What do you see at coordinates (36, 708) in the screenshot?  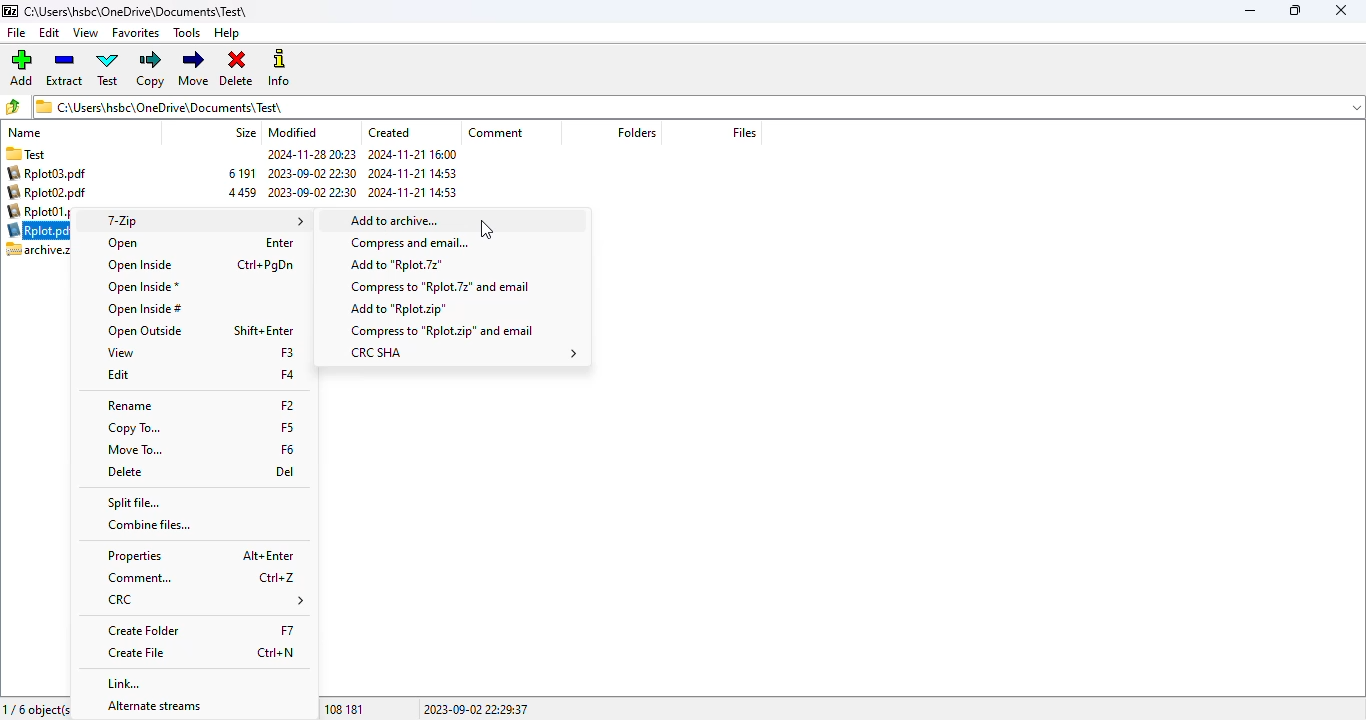 I see `1/6 object(s) selected` at bounding box center [36, 708].